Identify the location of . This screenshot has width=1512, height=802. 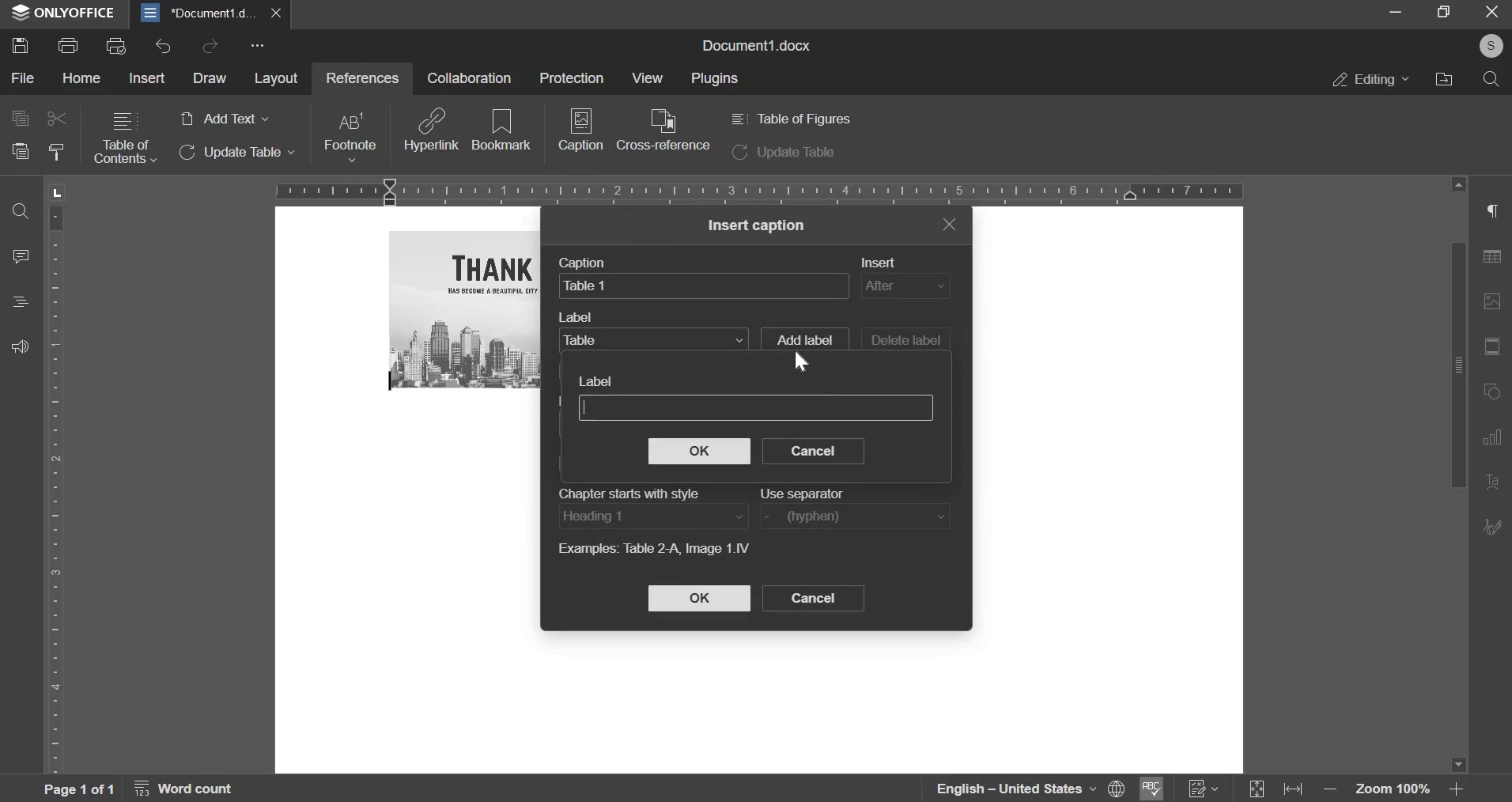
(801, 364).